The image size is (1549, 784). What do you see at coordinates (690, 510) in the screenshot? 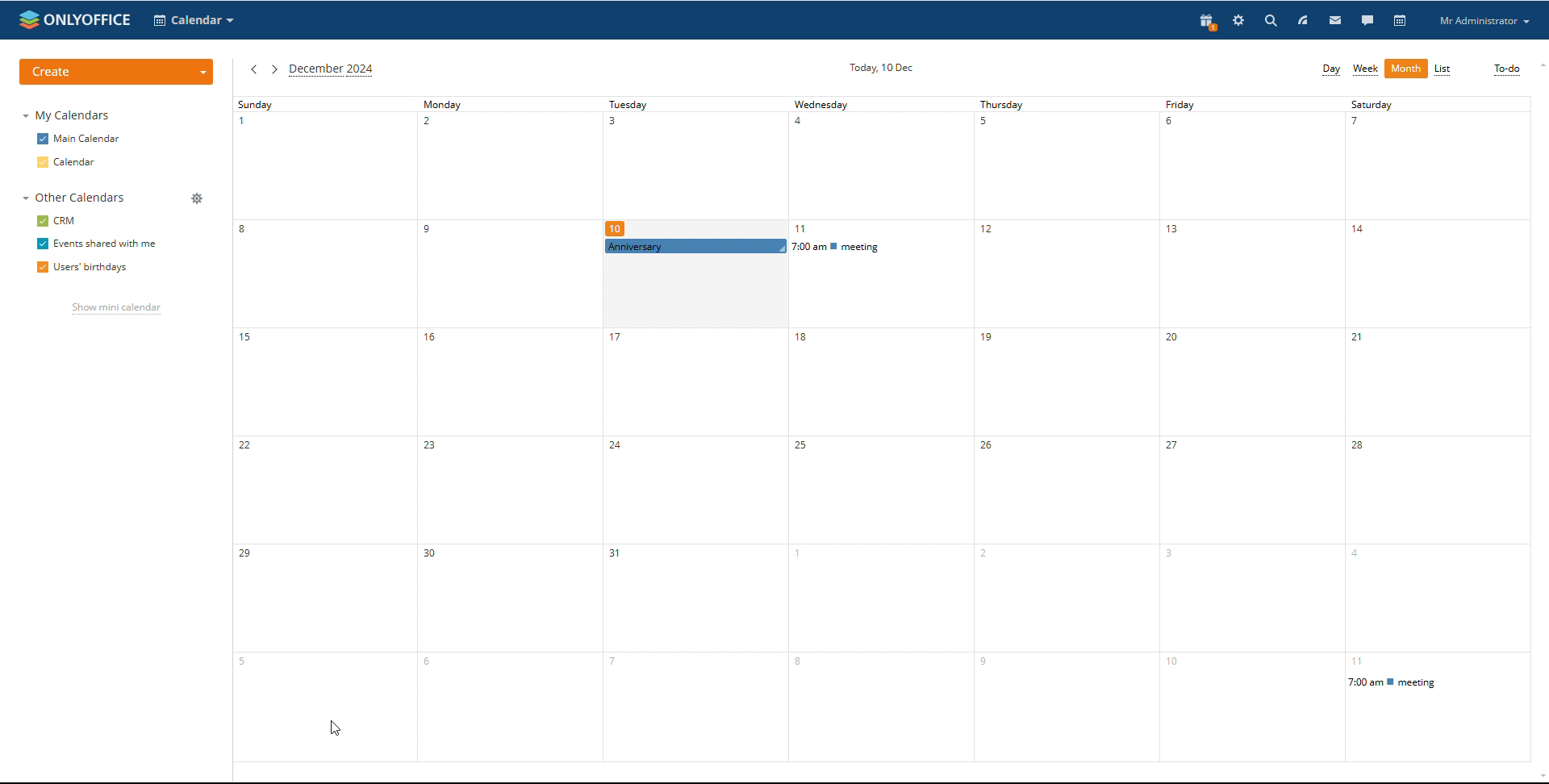
I see `tuesday` at bounding box center [690, 510].